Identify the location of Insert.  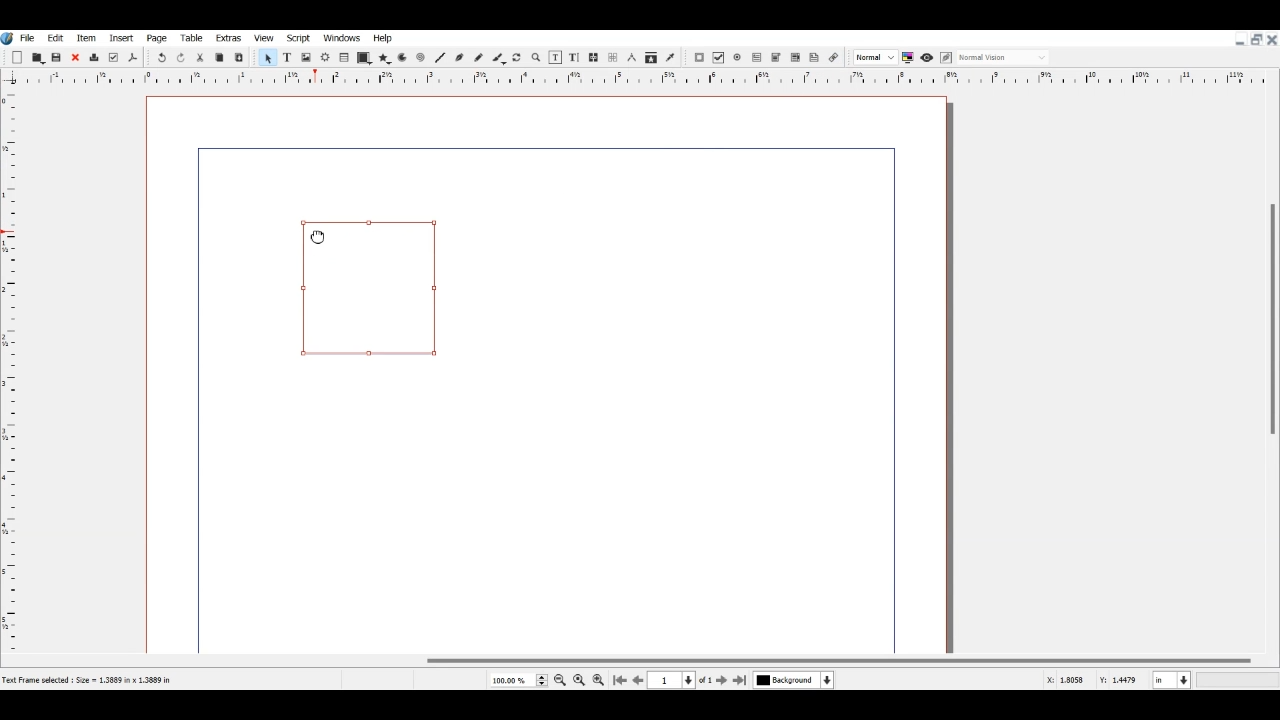
(120, 38).